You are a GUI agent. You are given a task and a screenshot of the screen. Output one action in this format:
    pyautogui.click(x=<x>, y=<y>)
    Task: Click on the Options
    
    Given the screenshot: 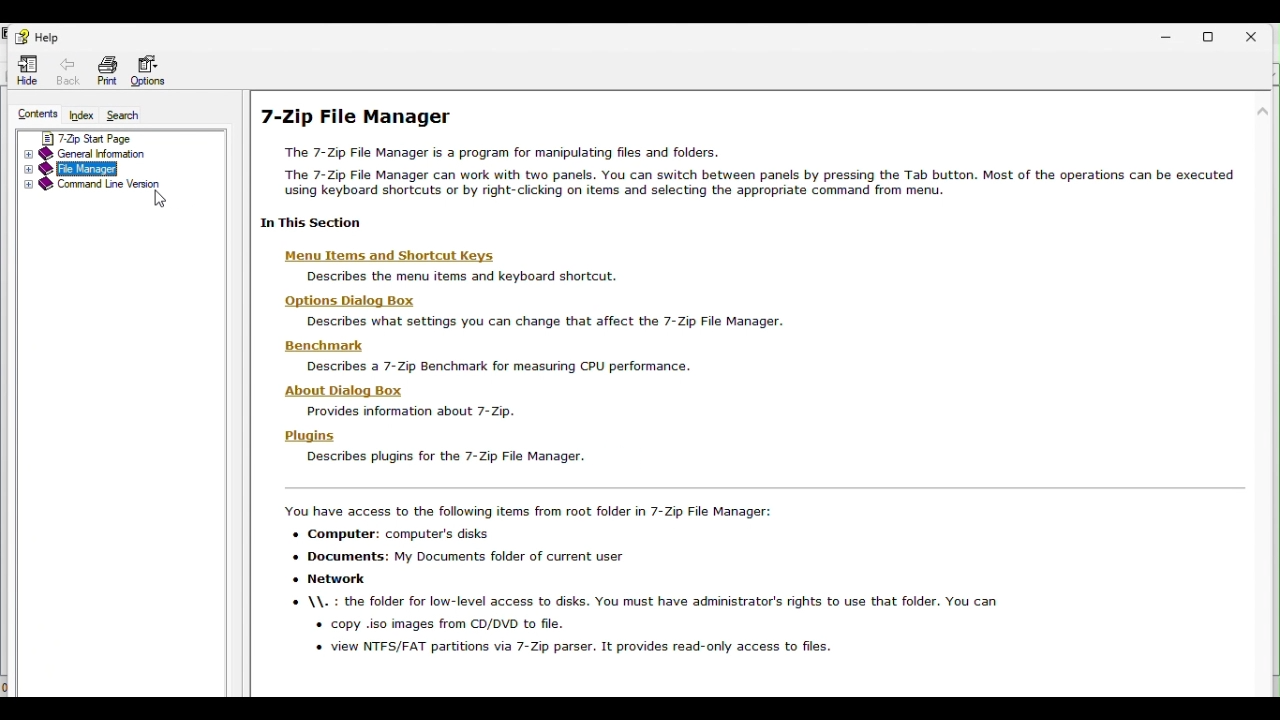 What is the action you would take?
    pyautogui.click(x=155, y=71)
    